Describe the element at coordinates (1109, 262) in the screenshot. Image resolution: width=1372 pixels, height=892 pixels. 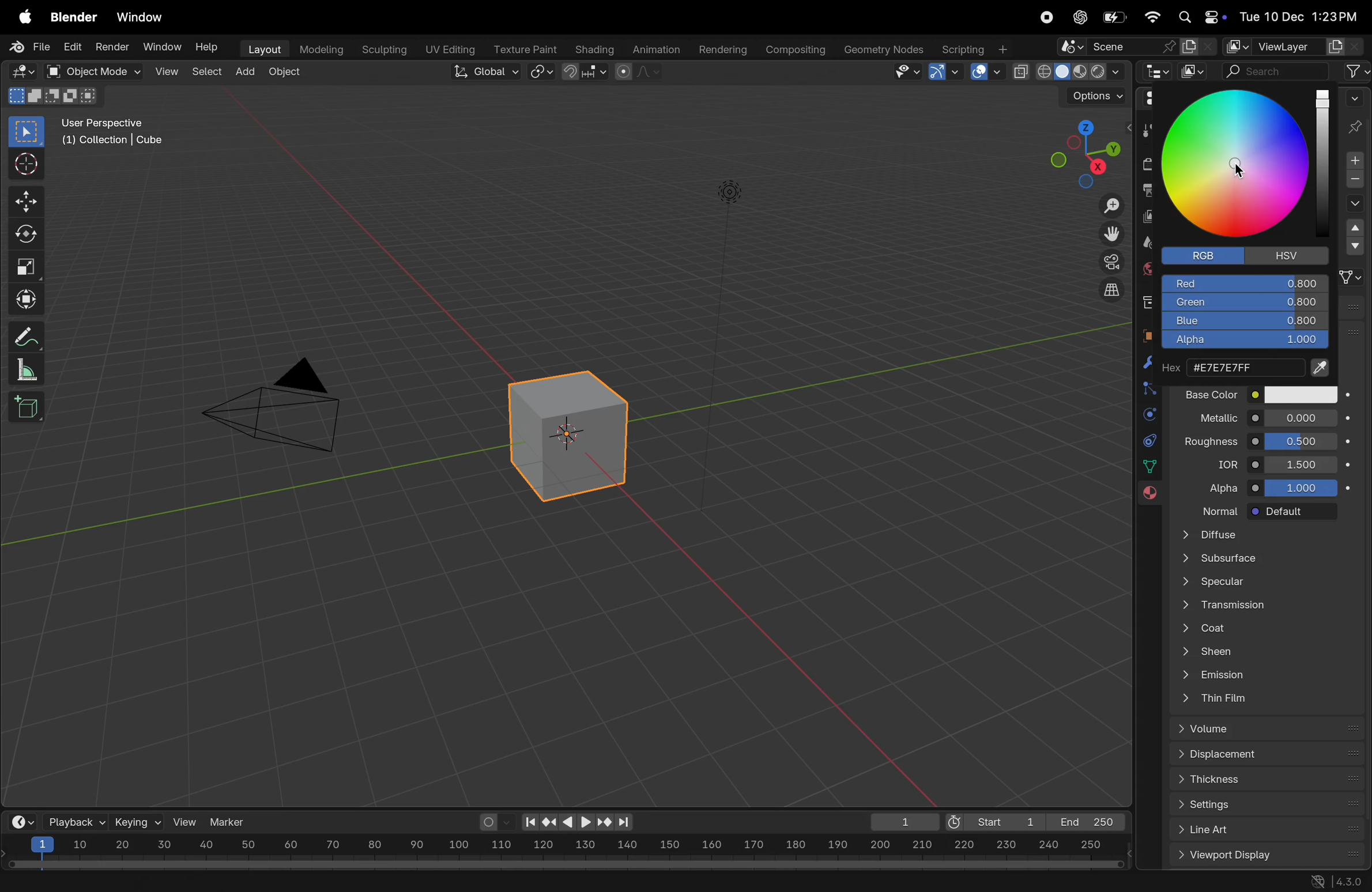
I see `camera` at that location.